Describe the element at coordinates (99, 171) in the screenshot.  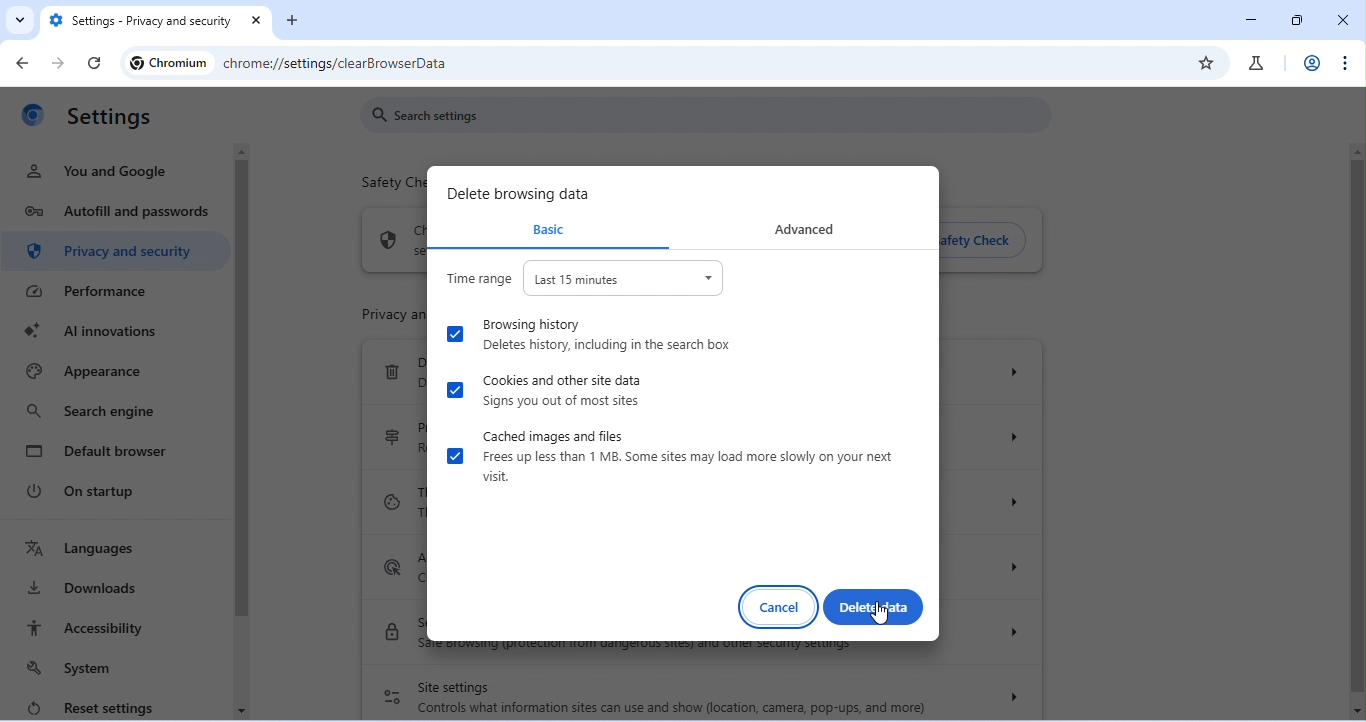
I see `you and google` at that location.